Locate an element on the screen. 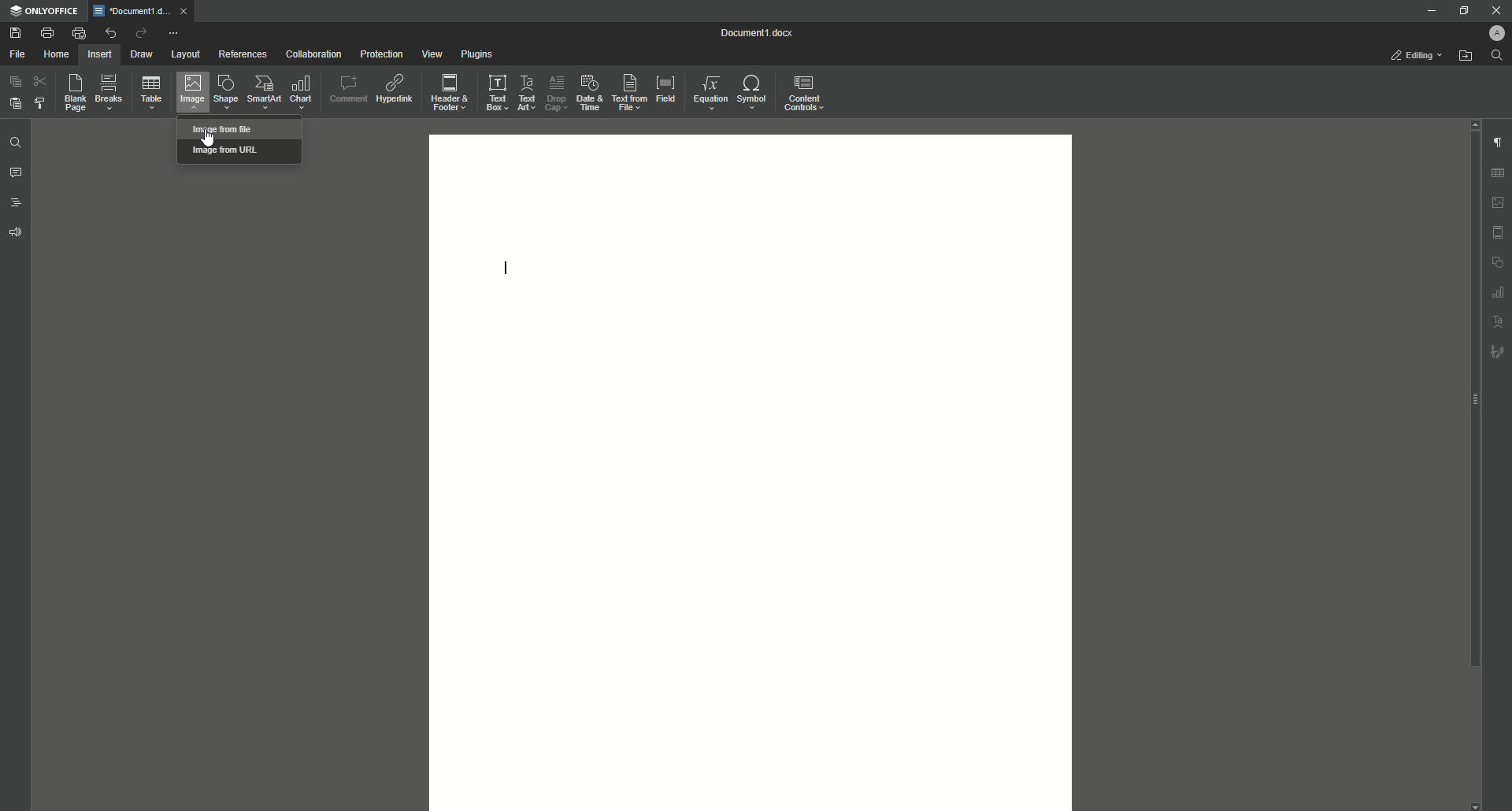 The height and width of the screenshot is (811, 1512). Copy is located at coordinates (13, 81).